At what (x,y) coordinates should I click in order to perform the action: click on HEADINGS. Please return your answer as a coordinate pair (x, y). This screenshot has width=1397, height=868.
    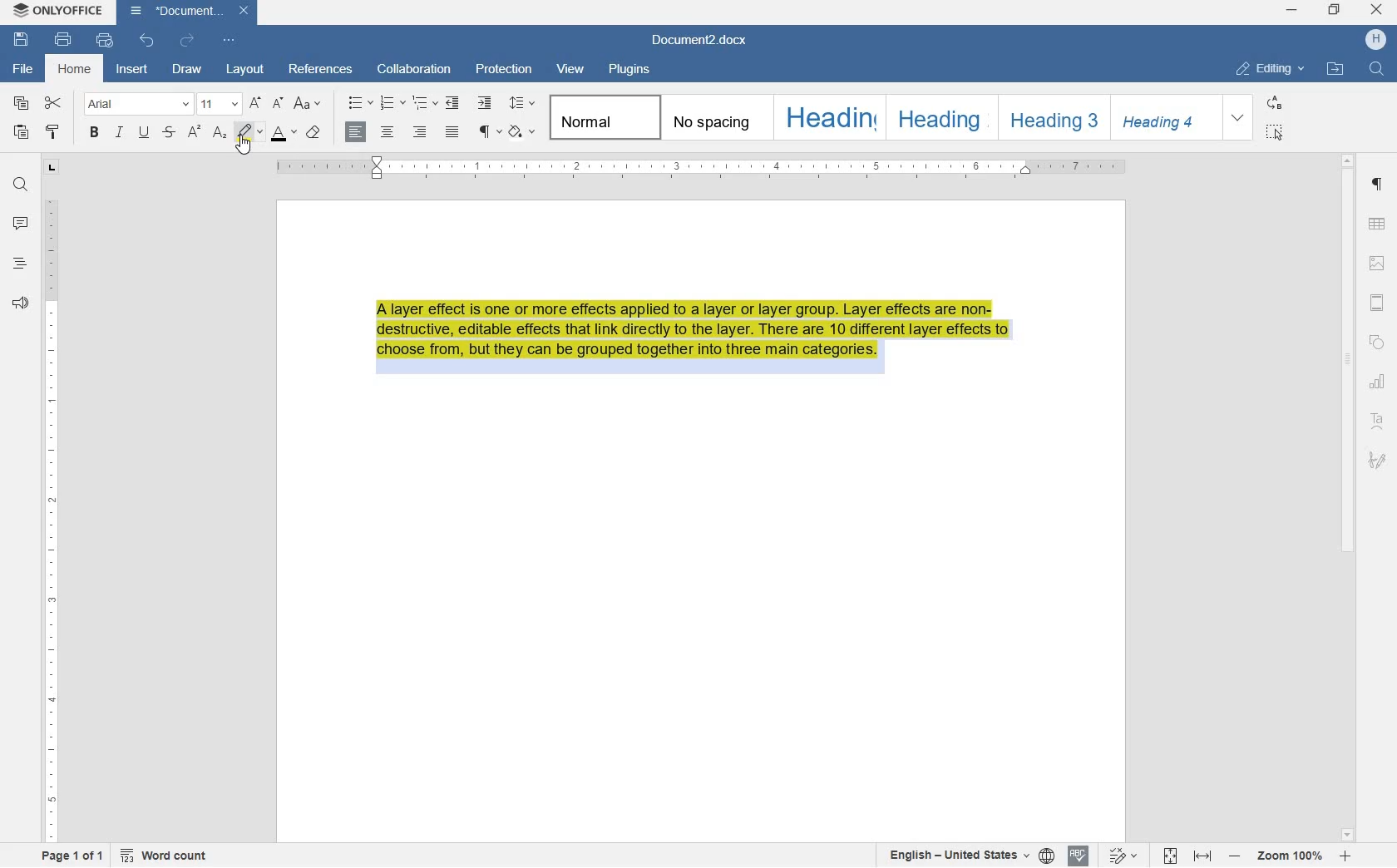
    Looking at the image, I should click on (17, 264).